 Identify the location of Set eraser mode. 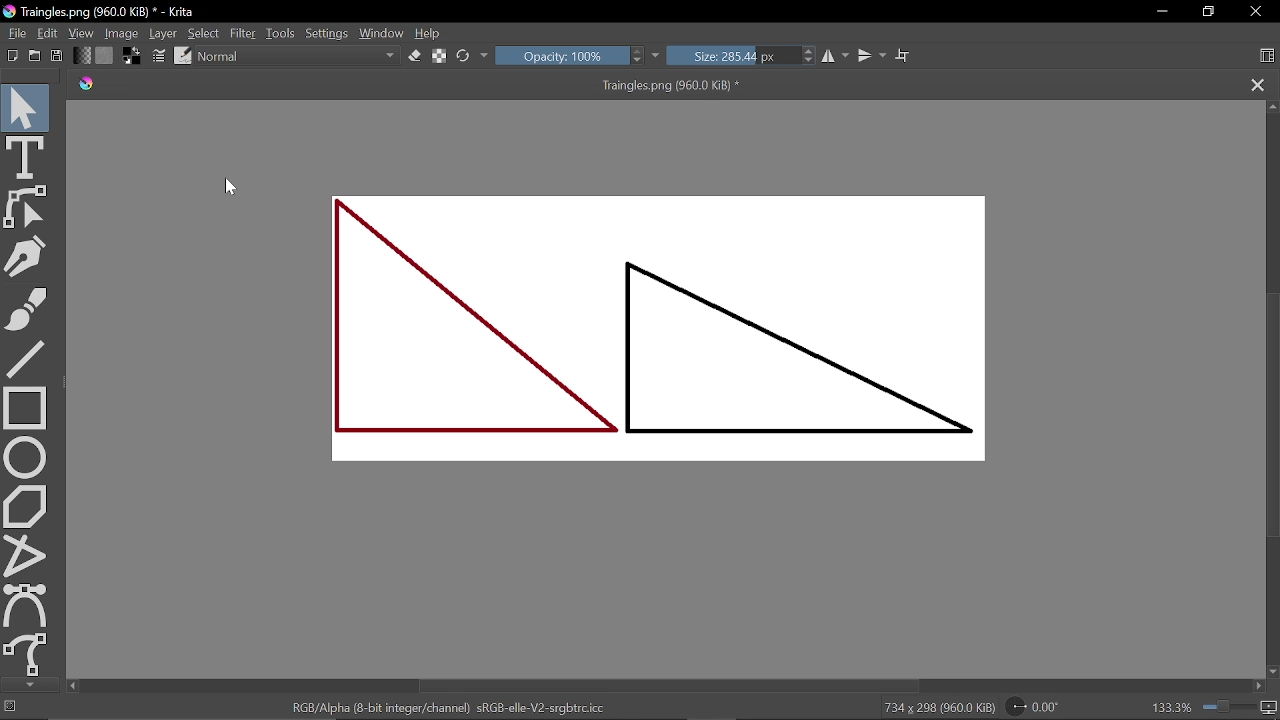
(414, 56).